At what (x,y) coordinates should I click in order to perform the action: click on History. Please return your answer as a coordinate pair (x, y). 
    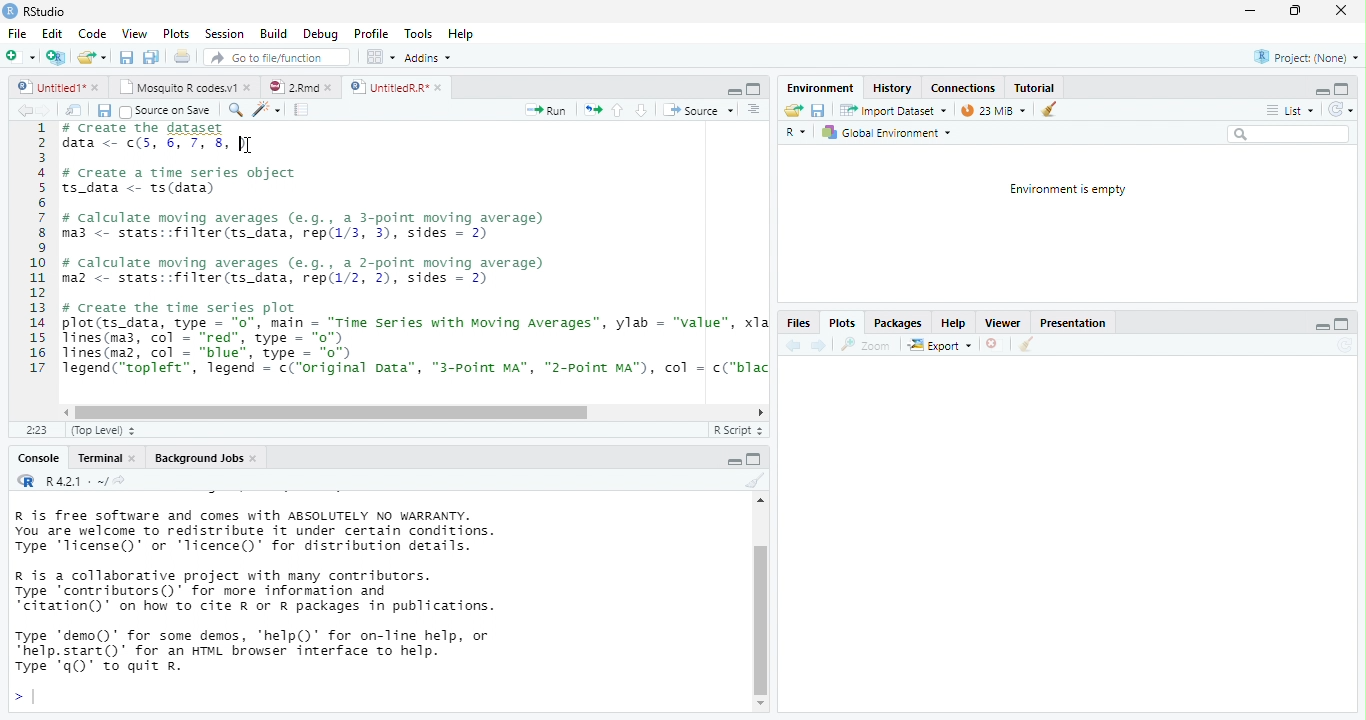
    Looking at the image, I should click on (892, 87).